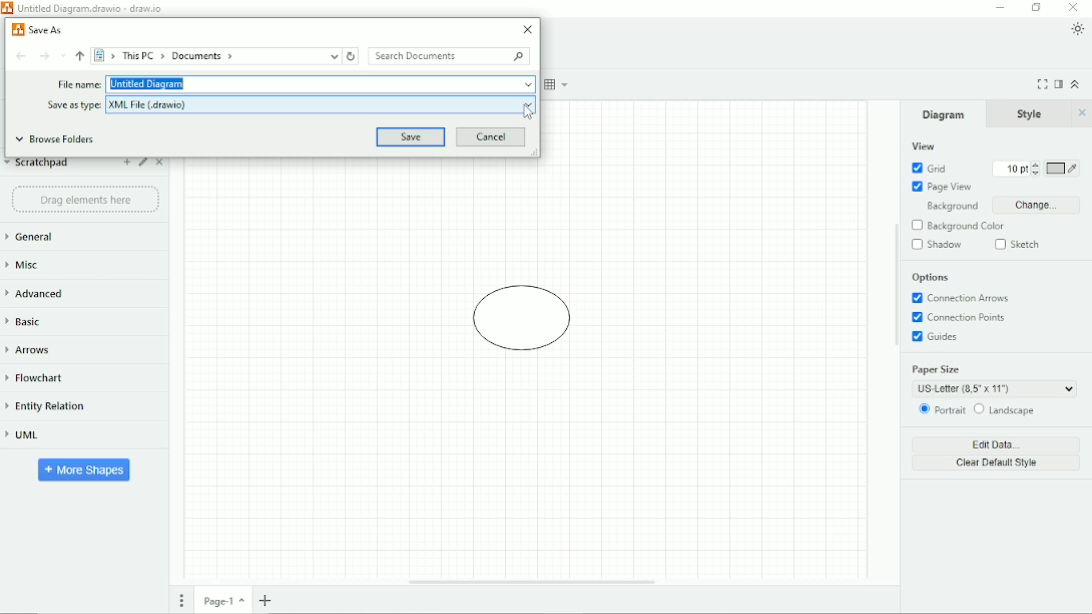 This screenshot has height=614, width=1092. I want to click on Vertical Scroll Bar, so click(895, 343).